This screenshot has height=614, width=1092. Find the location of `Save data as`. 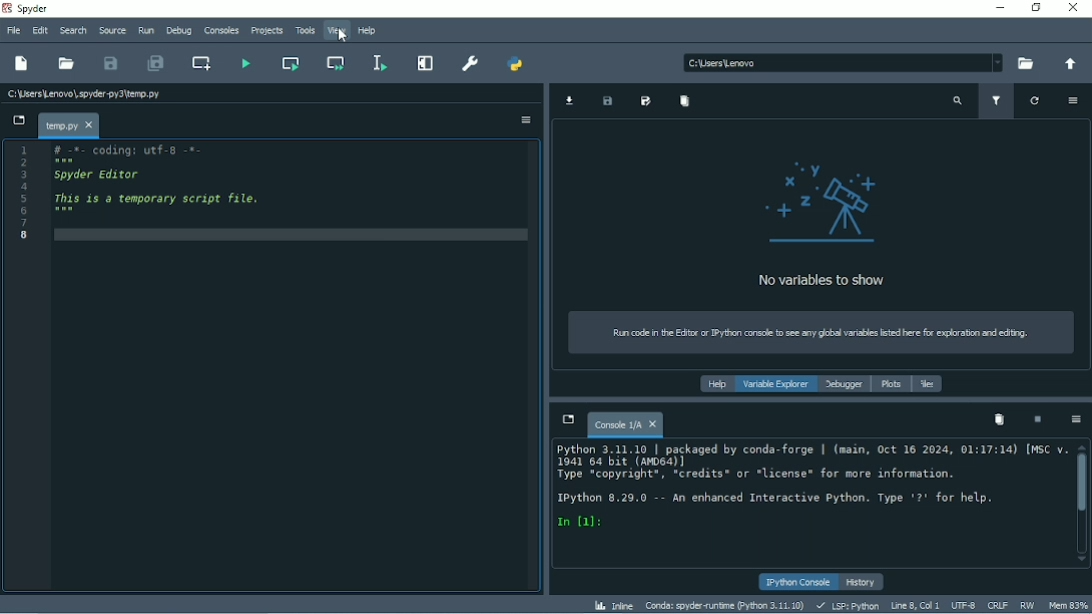

Save data as is located at coordinates (647, 102).